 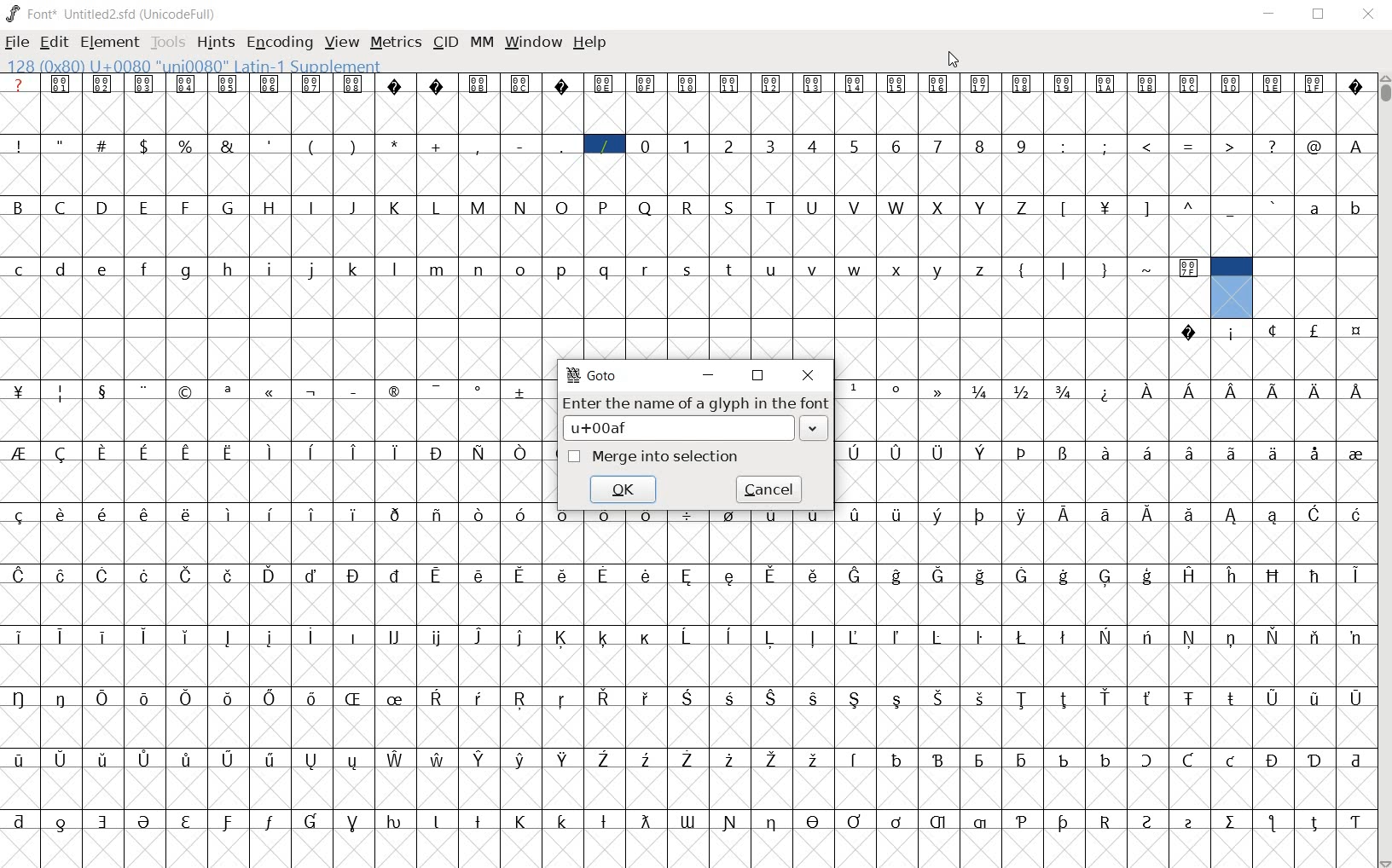 What do you see at coordinates (479, 512) in the screenshot?
I see `Symbol` at bounding box center [479, 512].